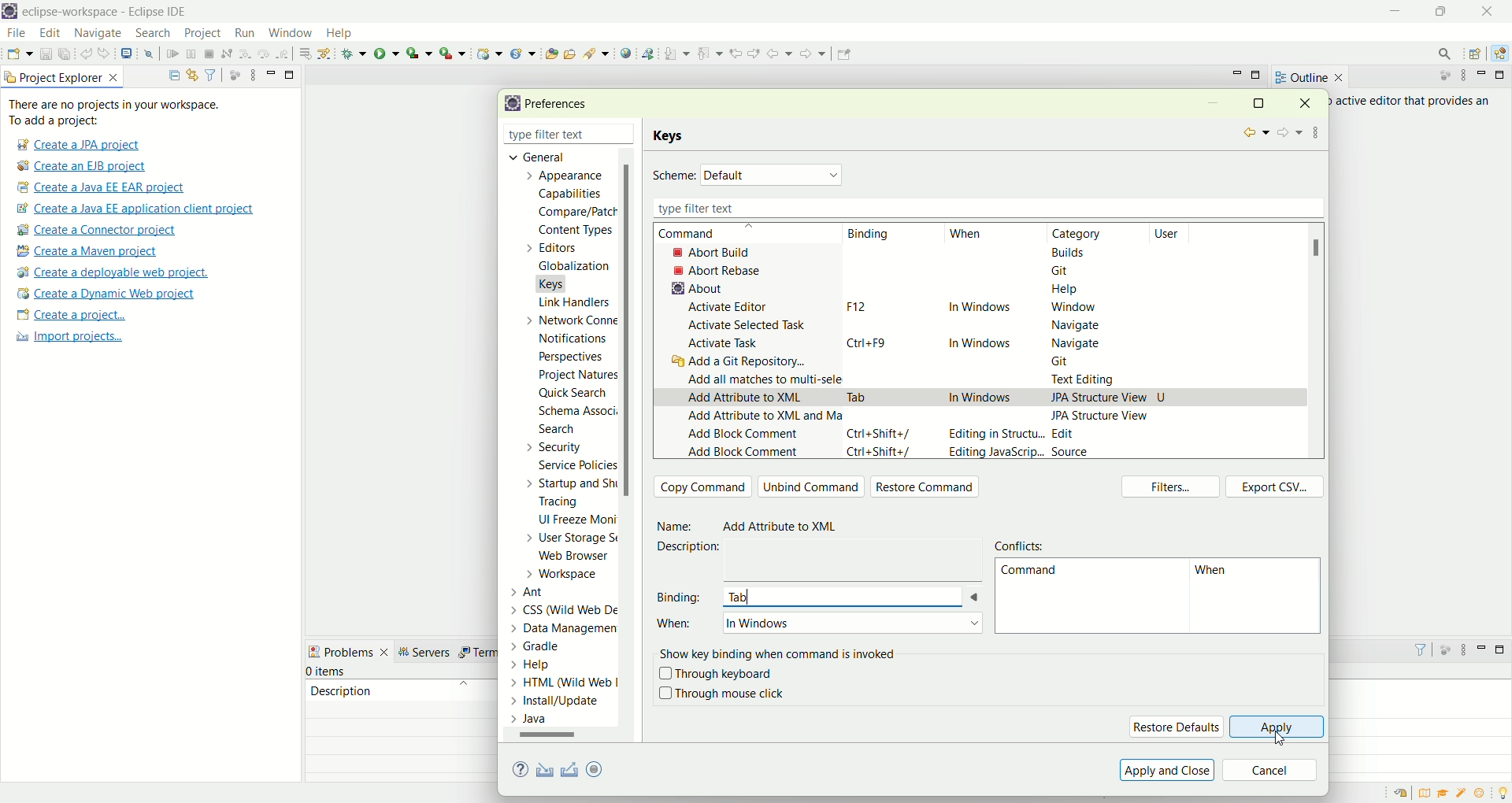 The height and width of the screenshot is (803, 1512). I want to click on next edit location, so click(756, 52).